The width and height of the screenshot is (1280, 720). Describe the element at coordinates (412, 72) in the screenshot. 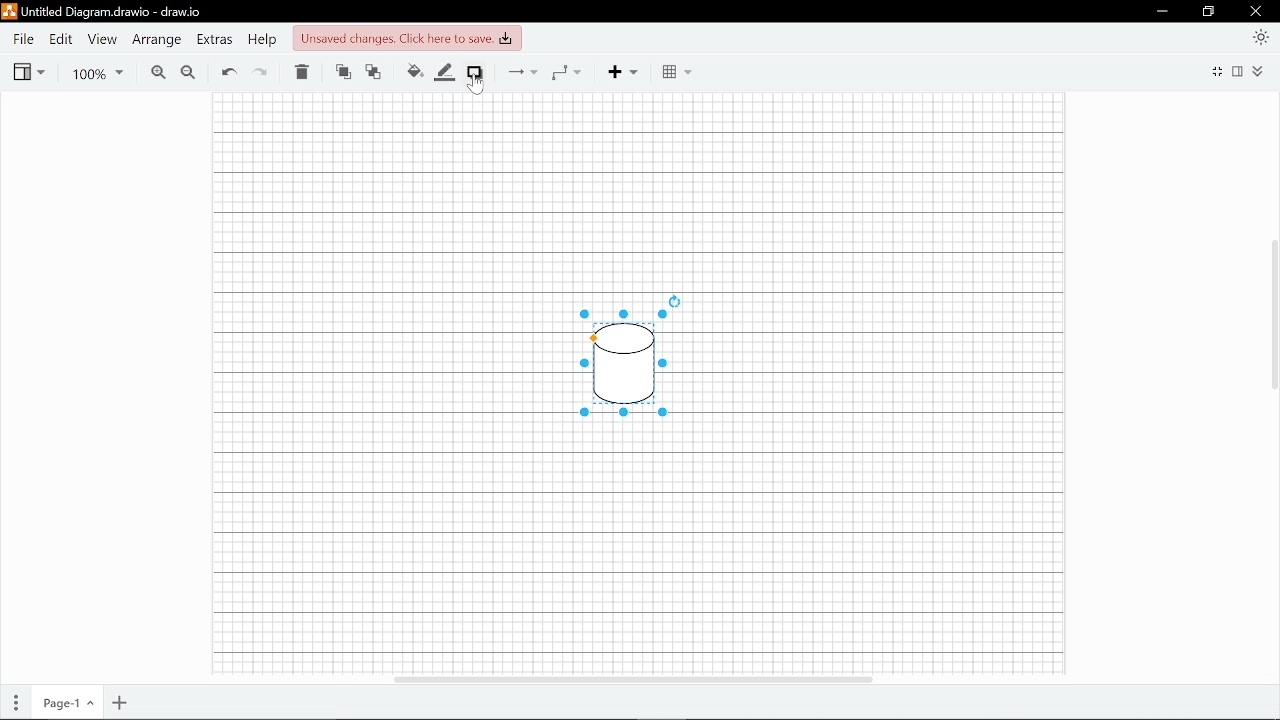

I see `Fill color` at that location.